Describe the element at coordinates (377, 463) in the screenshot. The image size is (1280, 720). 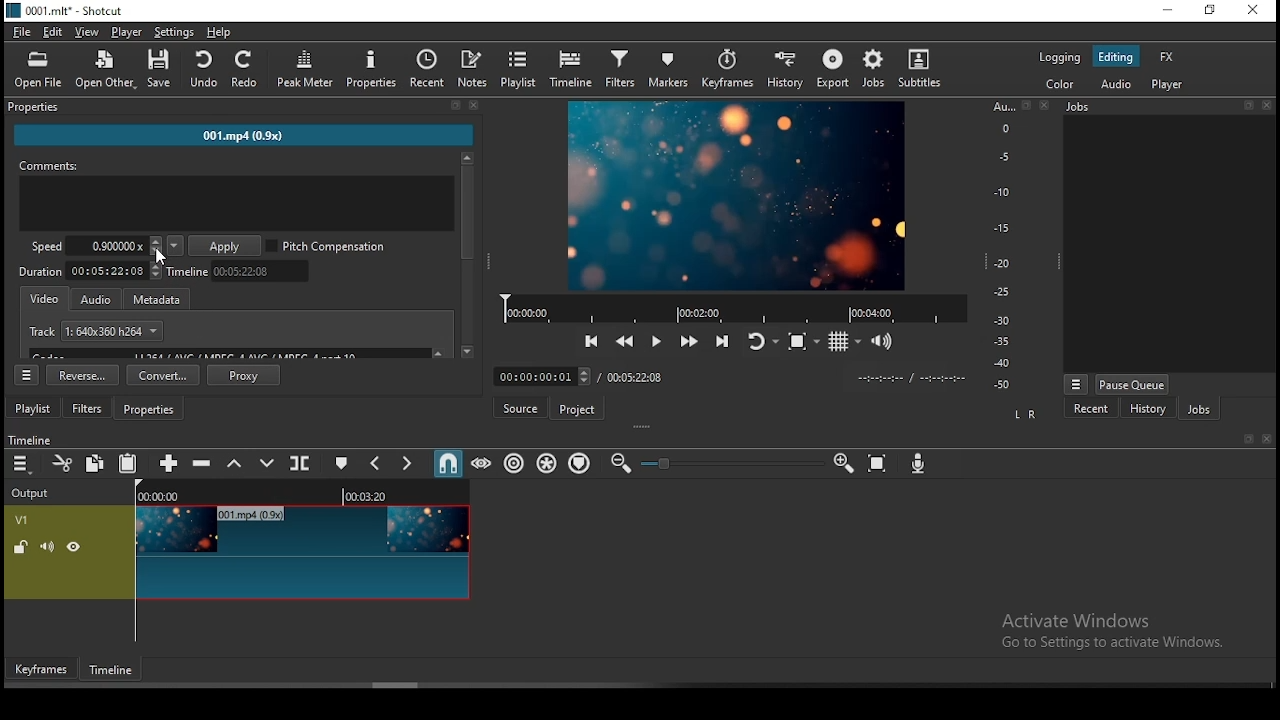
I see `previous marker` at that location.